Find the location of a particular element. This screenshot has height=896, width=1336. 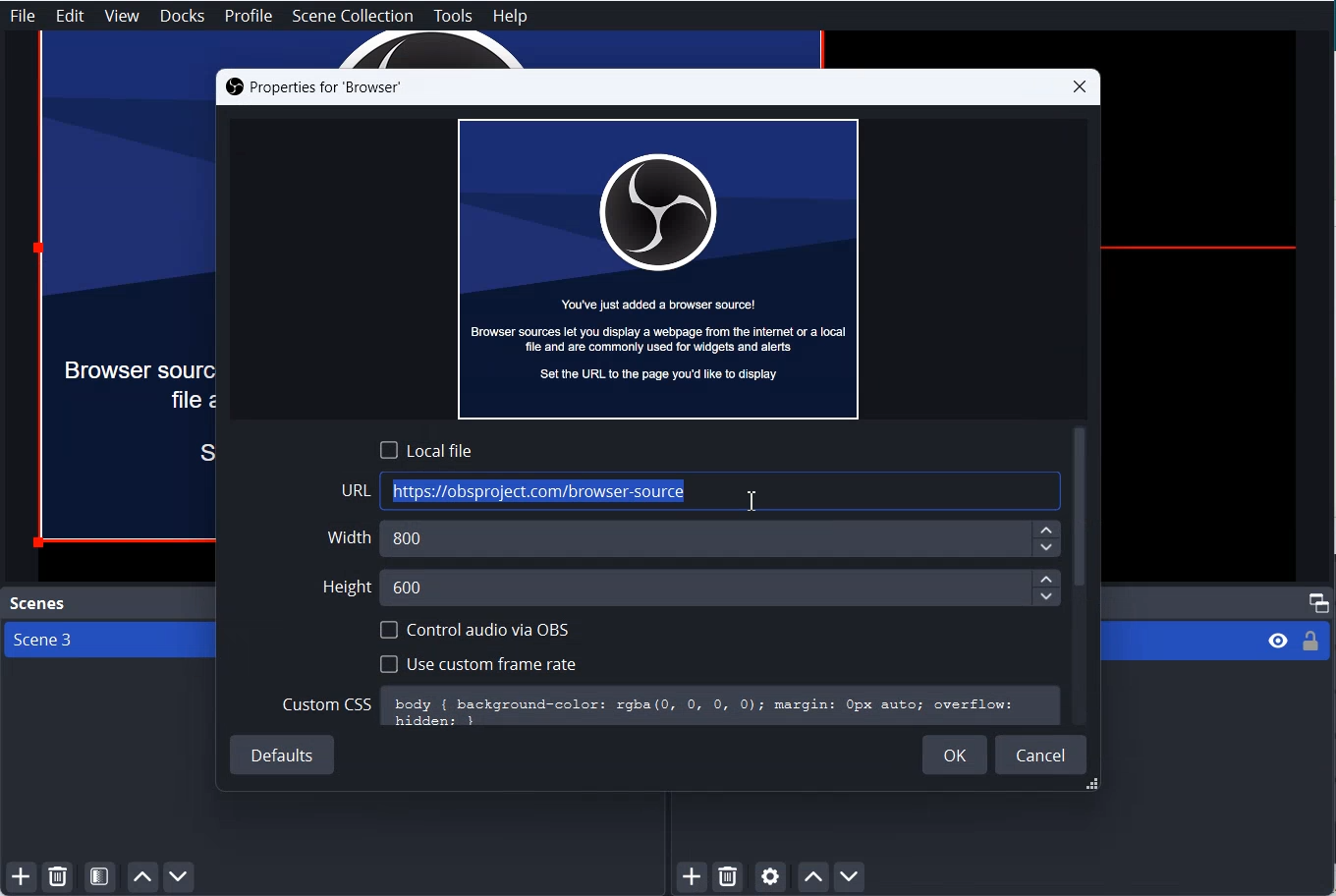

Remove selected Scene is located at coordinates (58, 877).